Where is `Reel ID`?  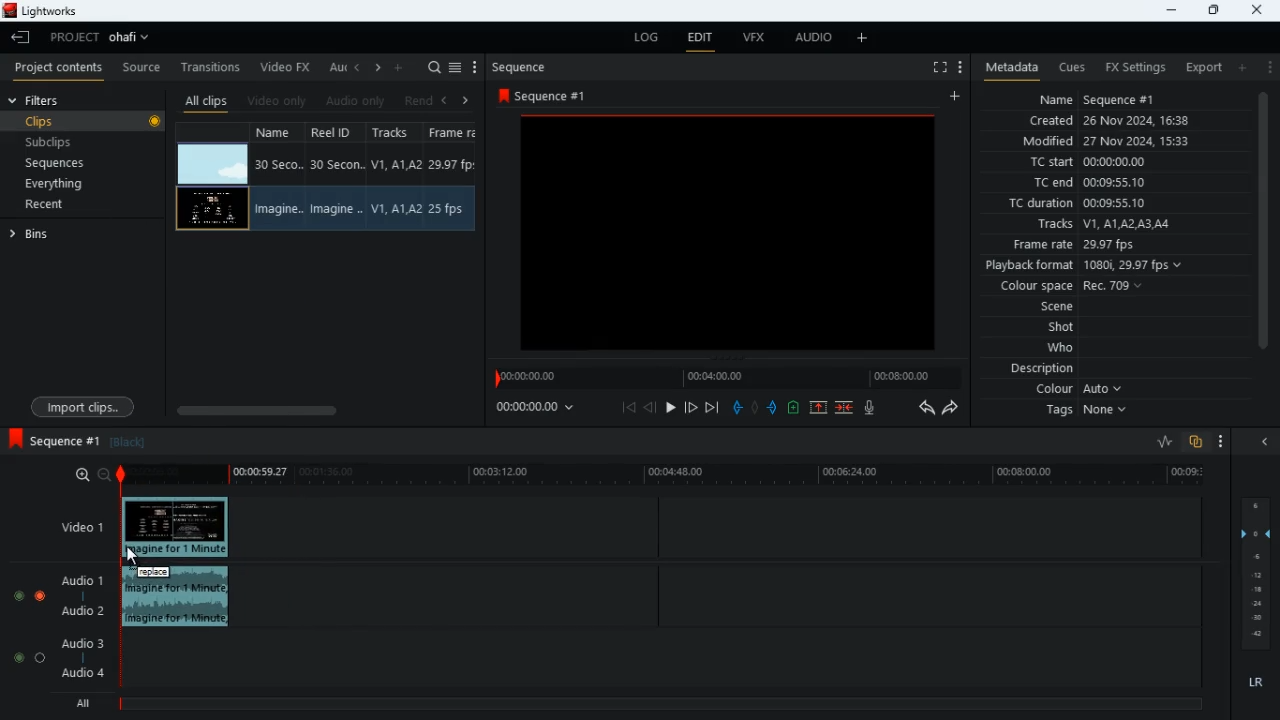 Reel ID is located at coordinates (336, 209).